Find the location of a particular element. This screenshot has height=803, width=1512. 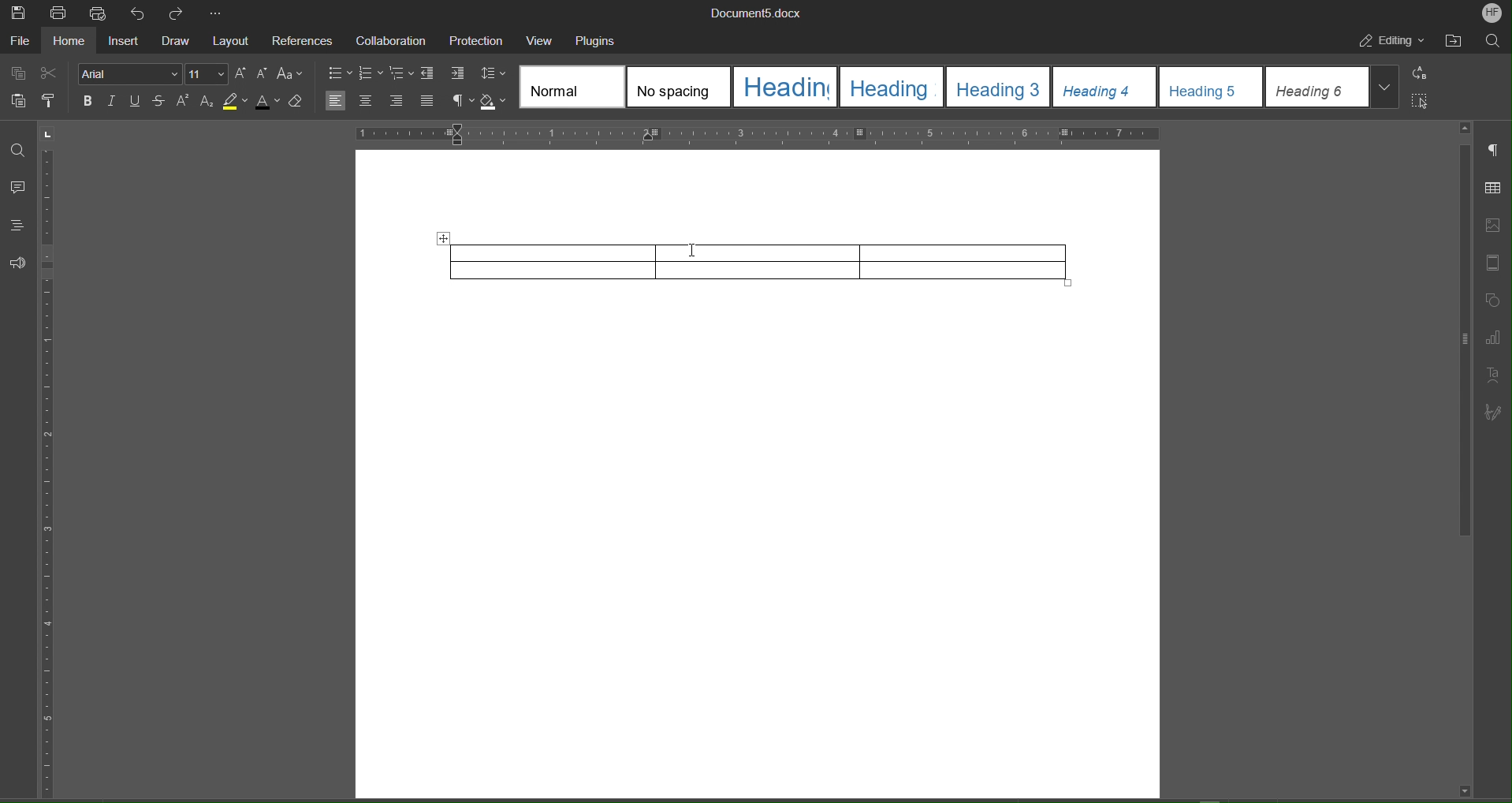

Copy is located at coordinates (16, 72).